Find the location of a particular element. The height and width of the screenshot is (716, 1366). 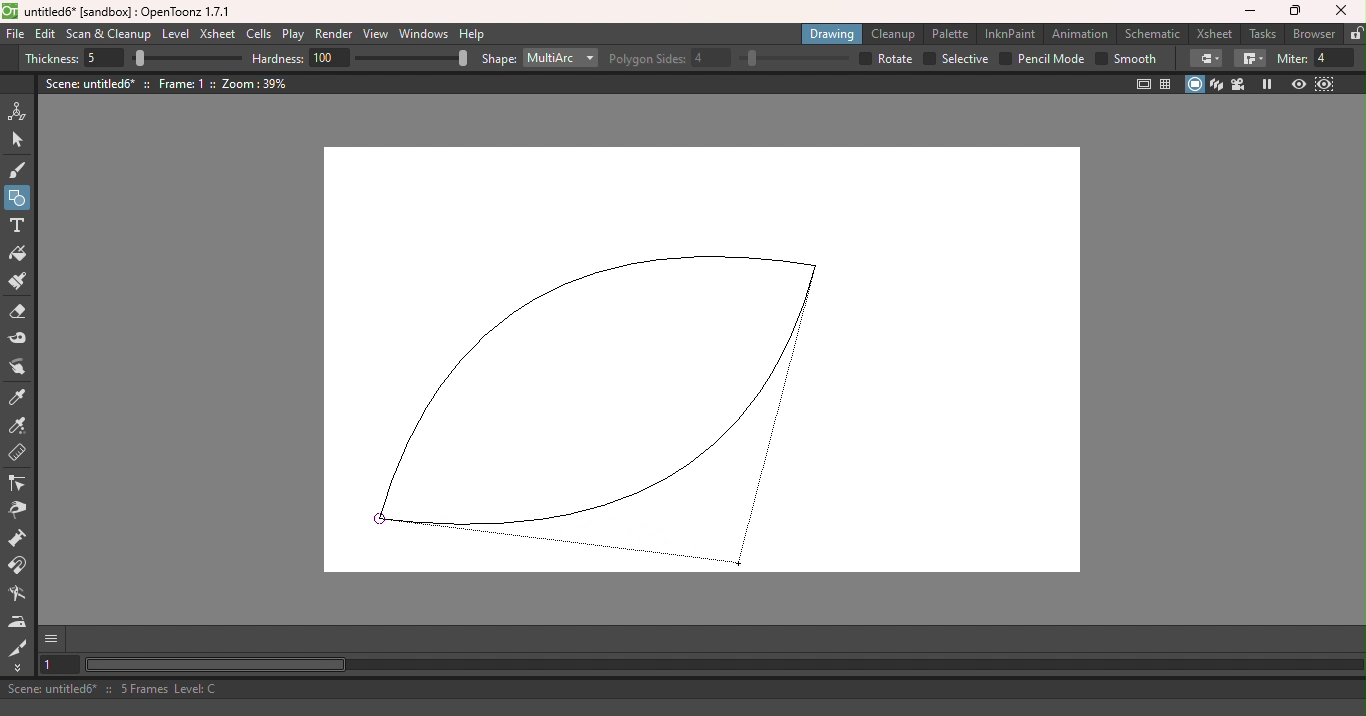

Palette is located at coordinates (949, 34).